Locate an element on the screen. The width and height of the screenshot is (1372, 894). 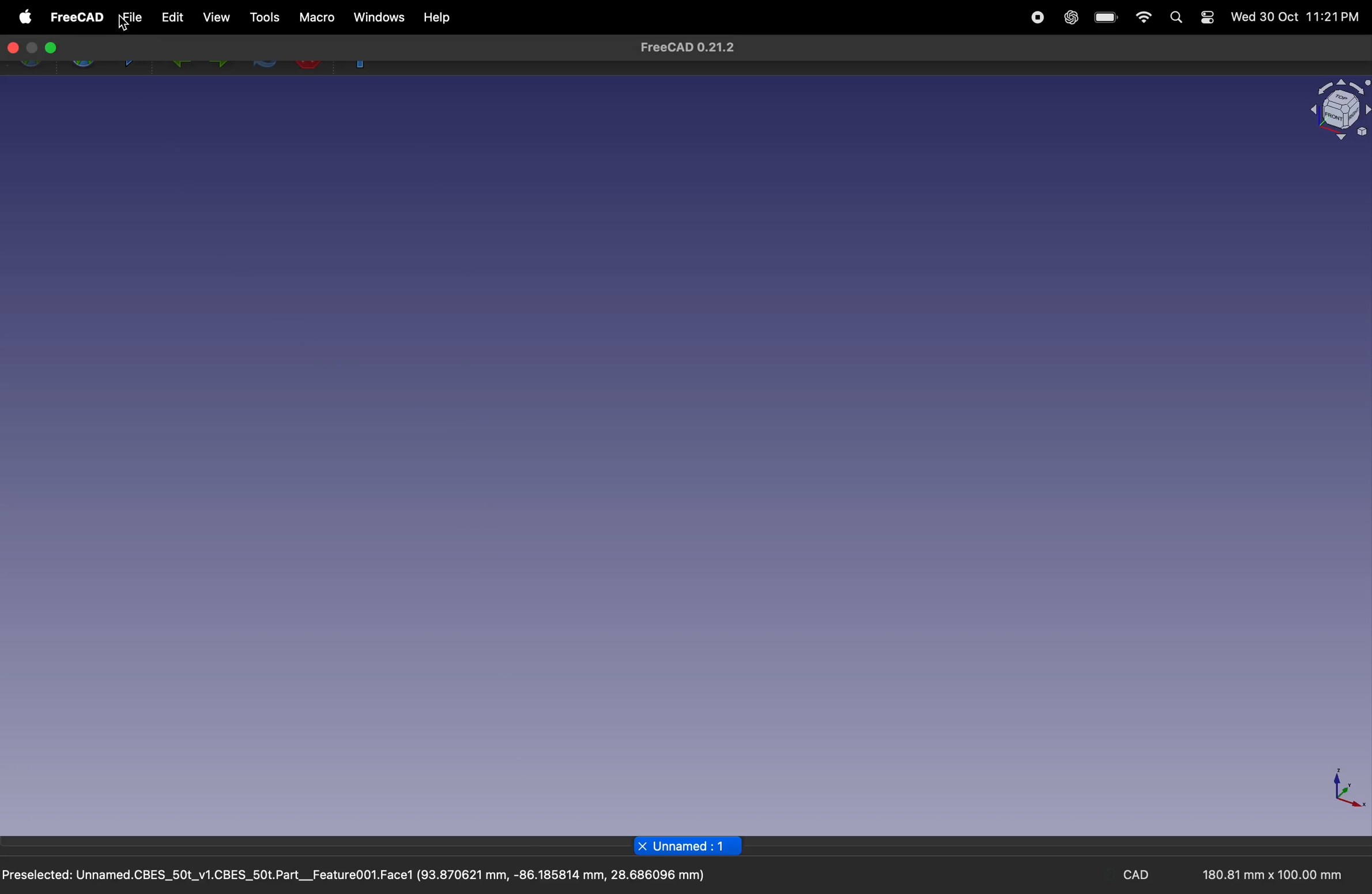
apple menu is located at coordinates (24, 16).